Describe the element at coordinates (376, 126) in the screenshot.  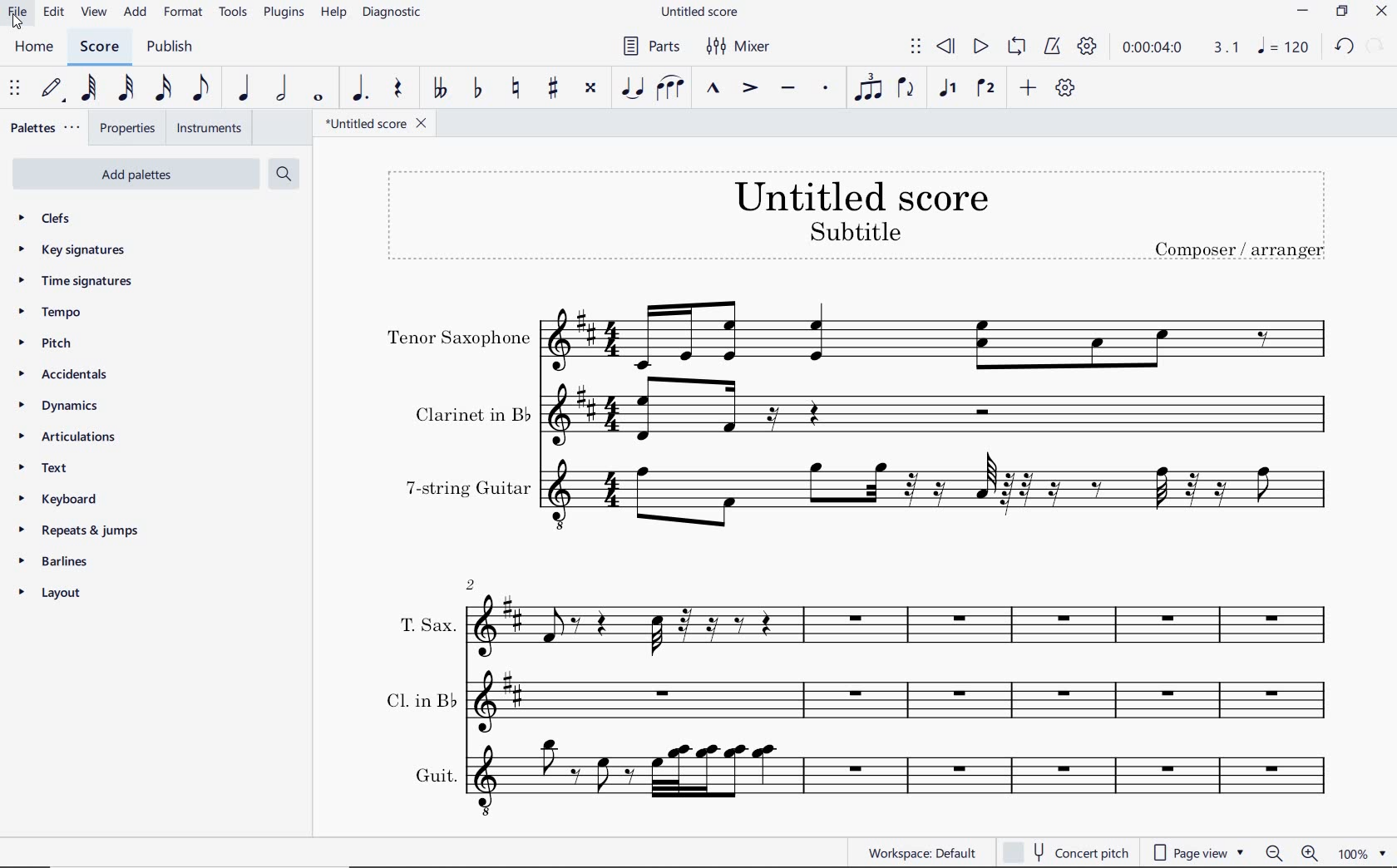
I see `FILE NAME` at that location.